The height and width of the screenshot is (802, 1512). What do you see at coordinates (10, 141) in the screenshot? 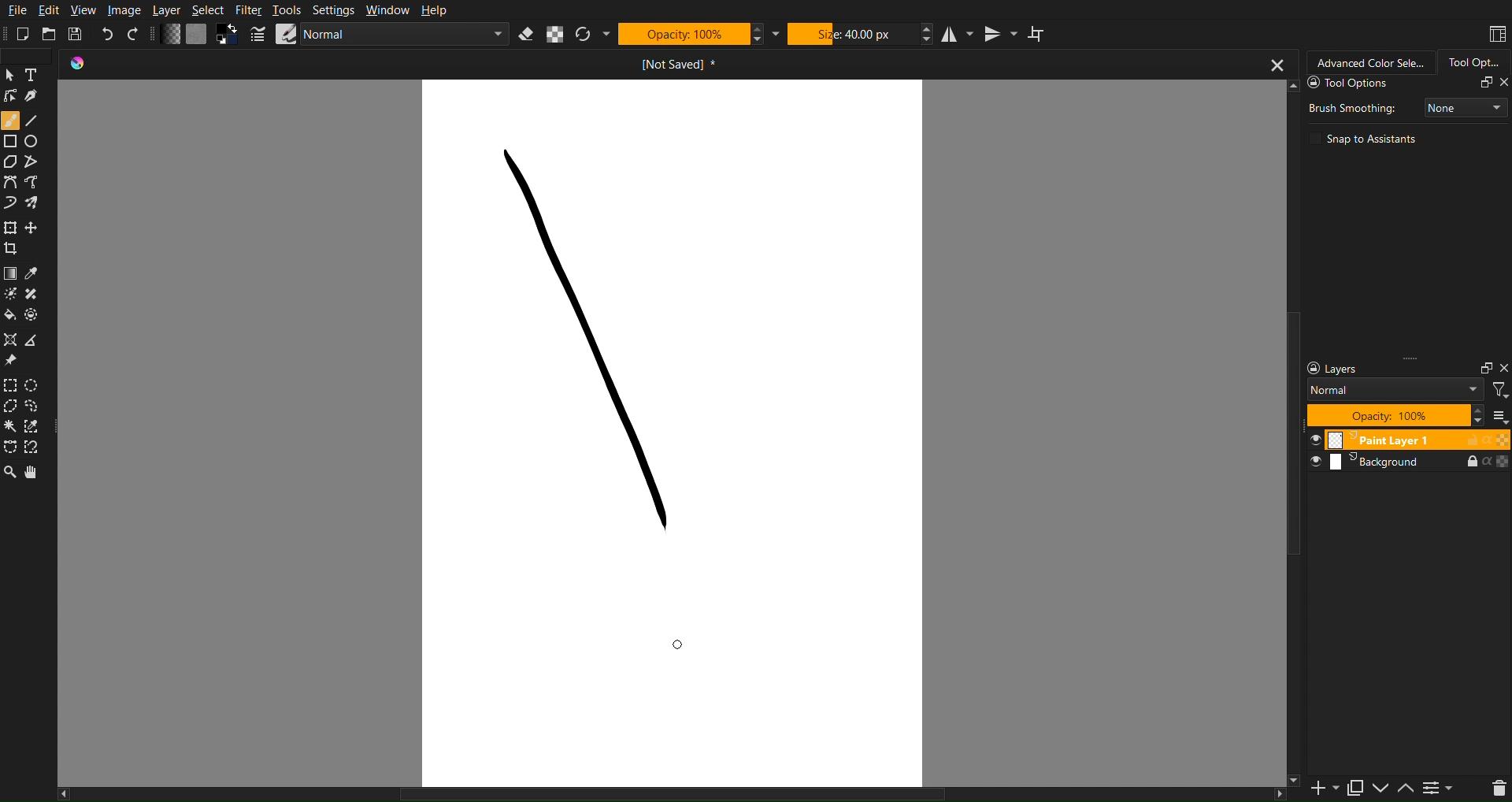
I see `Square` at bounding box center [10, 141].